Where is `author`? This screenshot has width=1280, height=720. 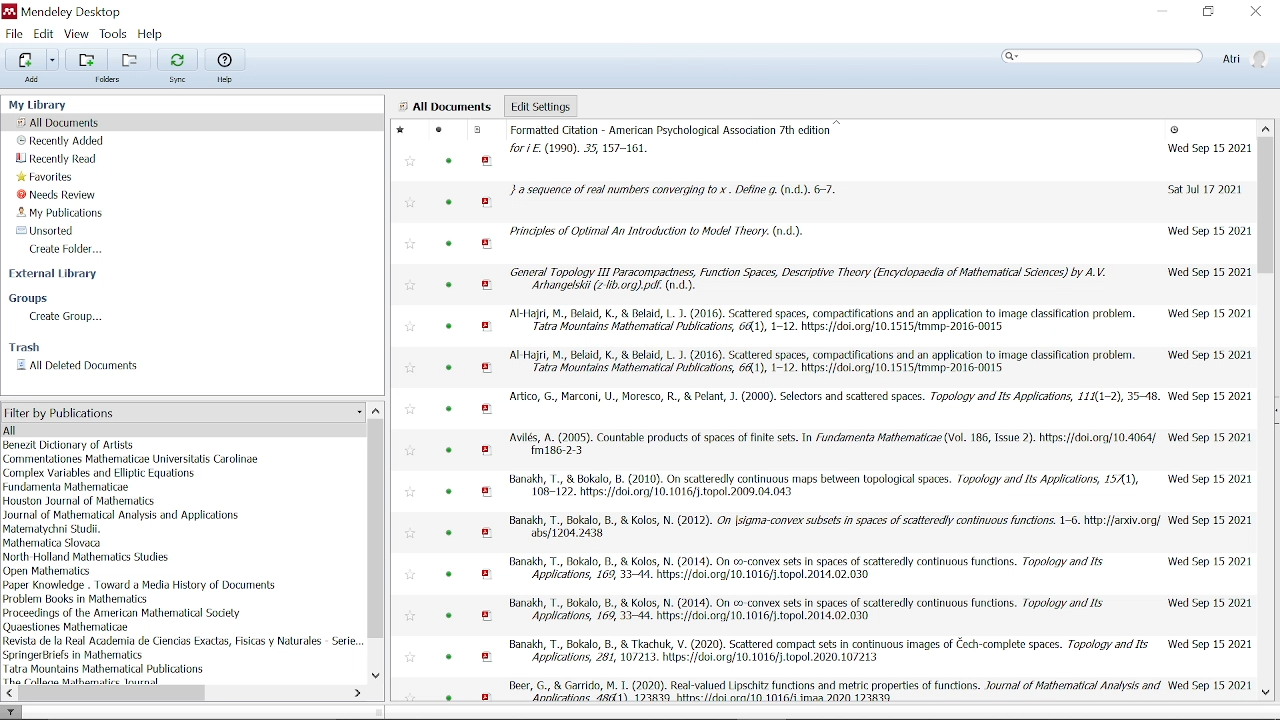 author is located at coordinates (87, 556).